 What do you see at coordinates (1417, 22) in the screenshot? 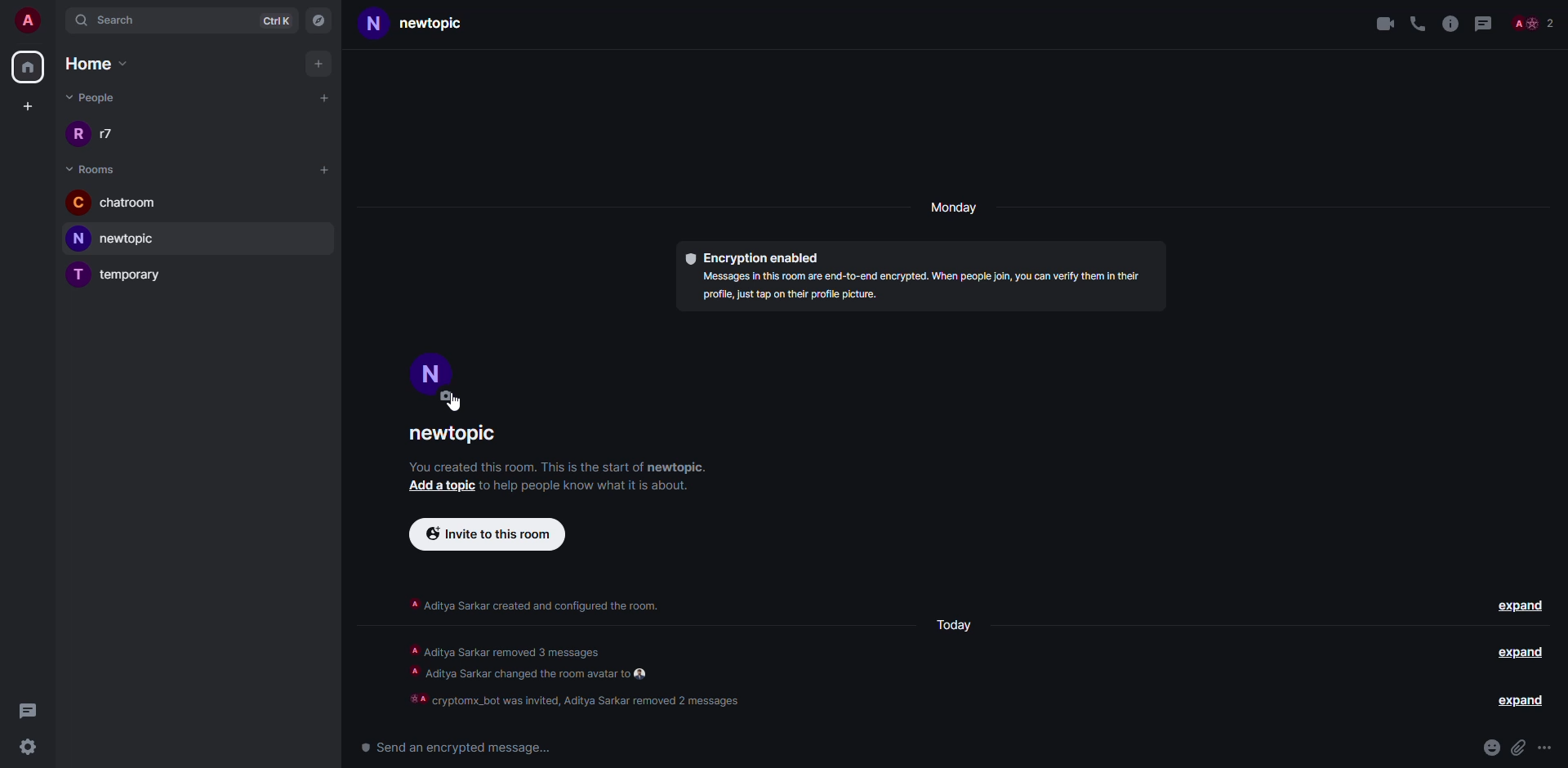
I see `voice call` at bounding box center [1417, 22].